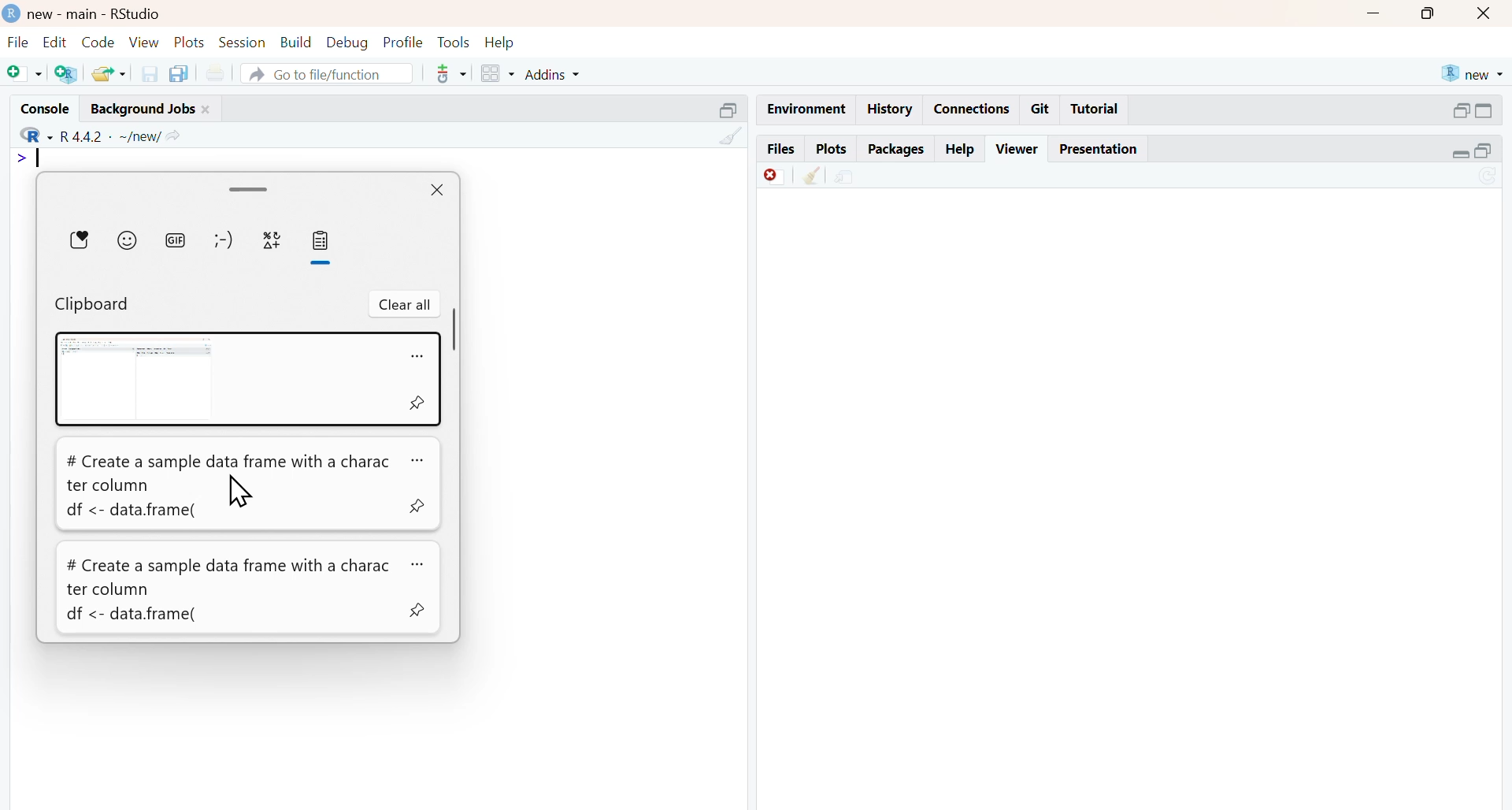  Describe the element at coordinates (807, 109) in the screenshot. I see `Environment ` at that location.